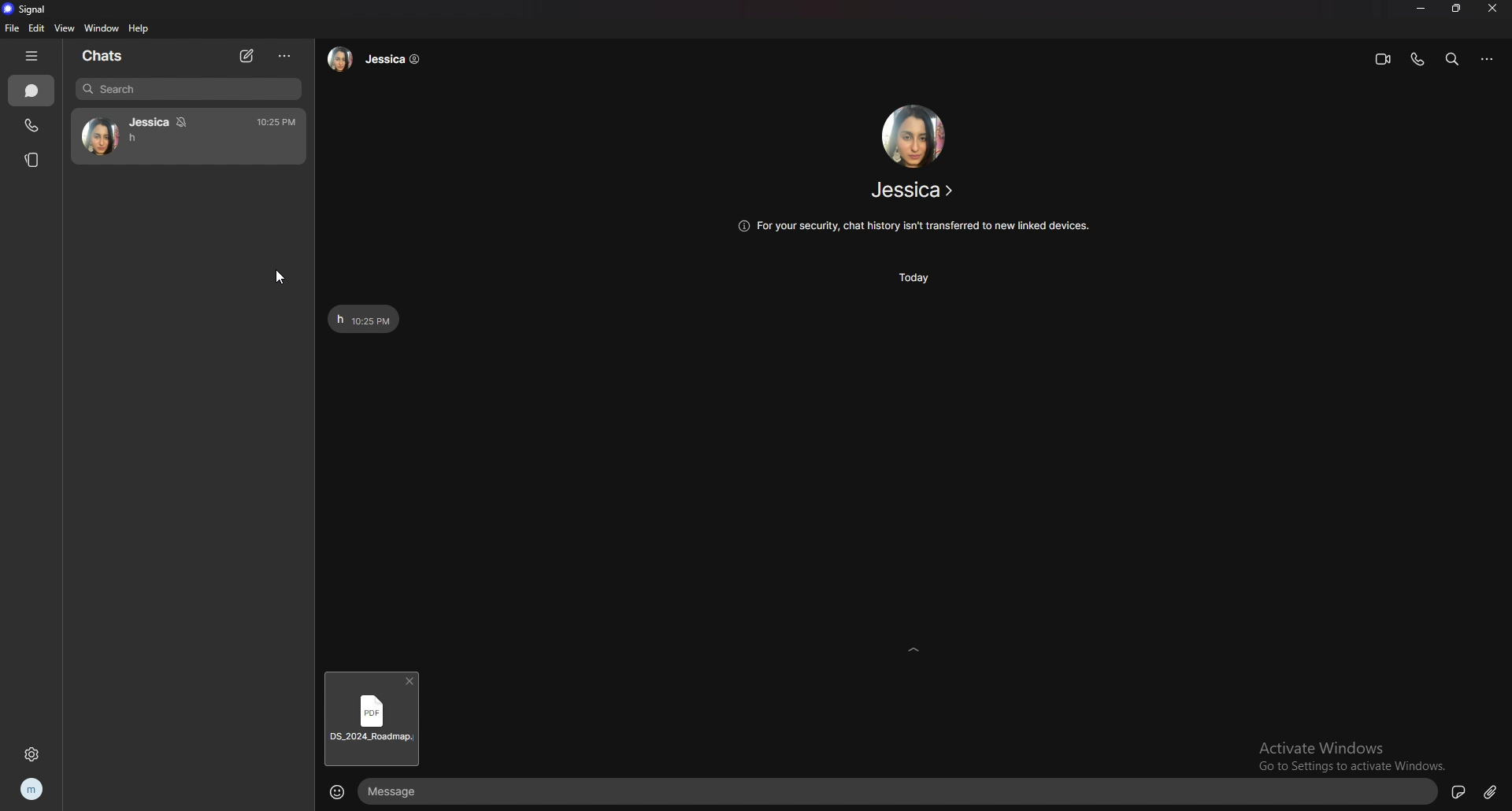 The height and width of the screenshot is (811, 1512). What do you see at coordinates (411, 682) in the screenshot?
I see `remove document` at bounding box center [411, 682].